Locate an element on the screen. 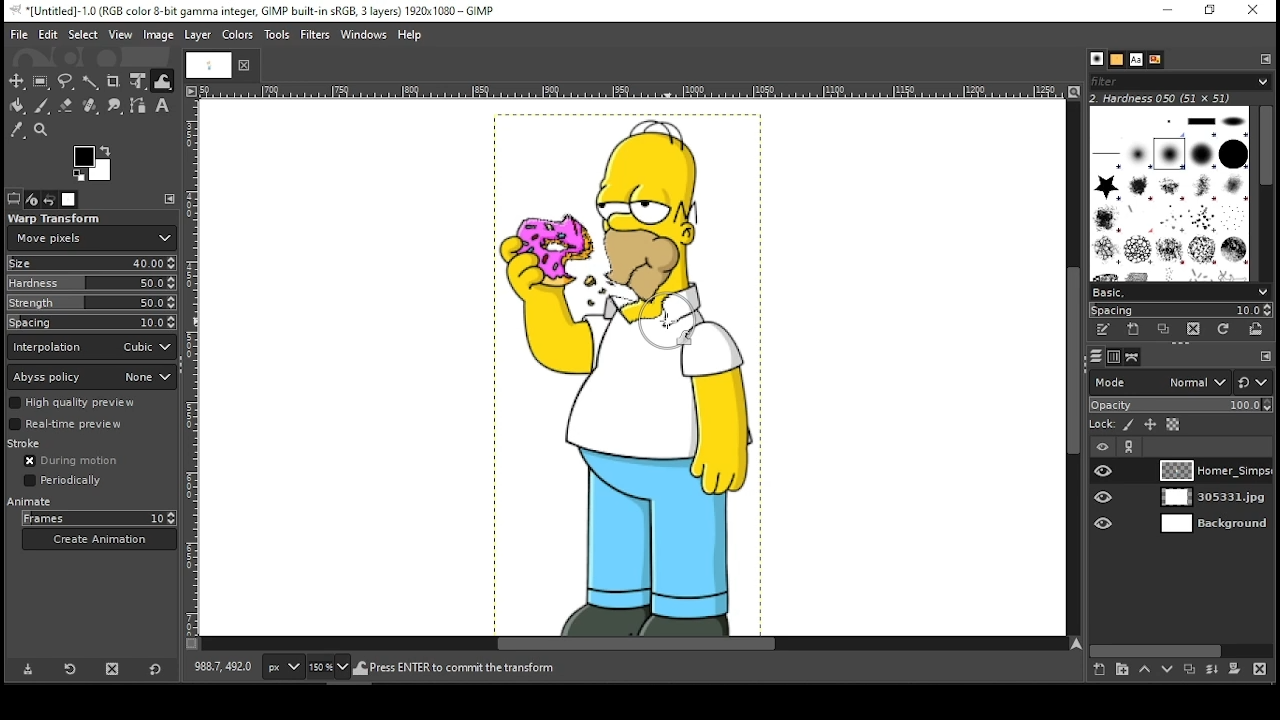  open brush as image is located at coordinates (1259, 329).